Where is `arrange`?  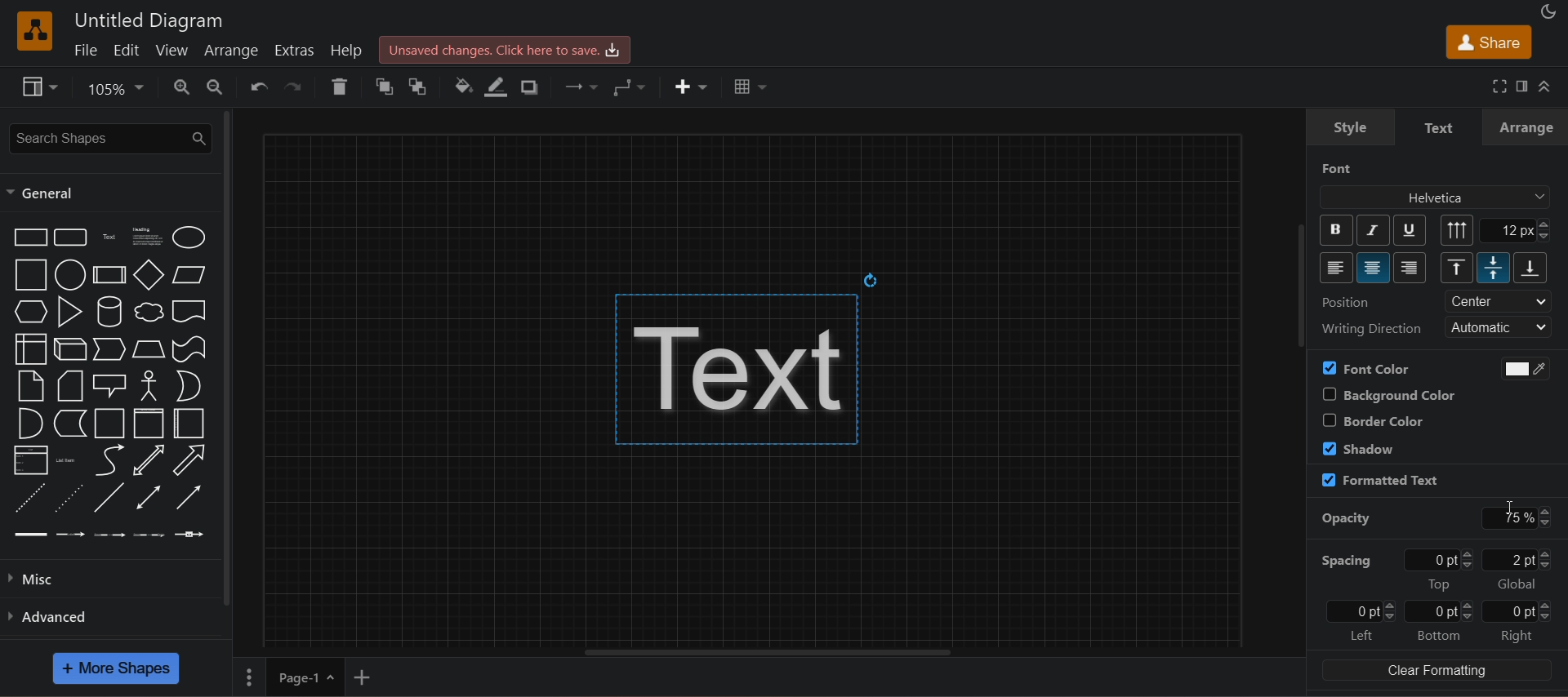
arrange is located at coordinates (229, 51).